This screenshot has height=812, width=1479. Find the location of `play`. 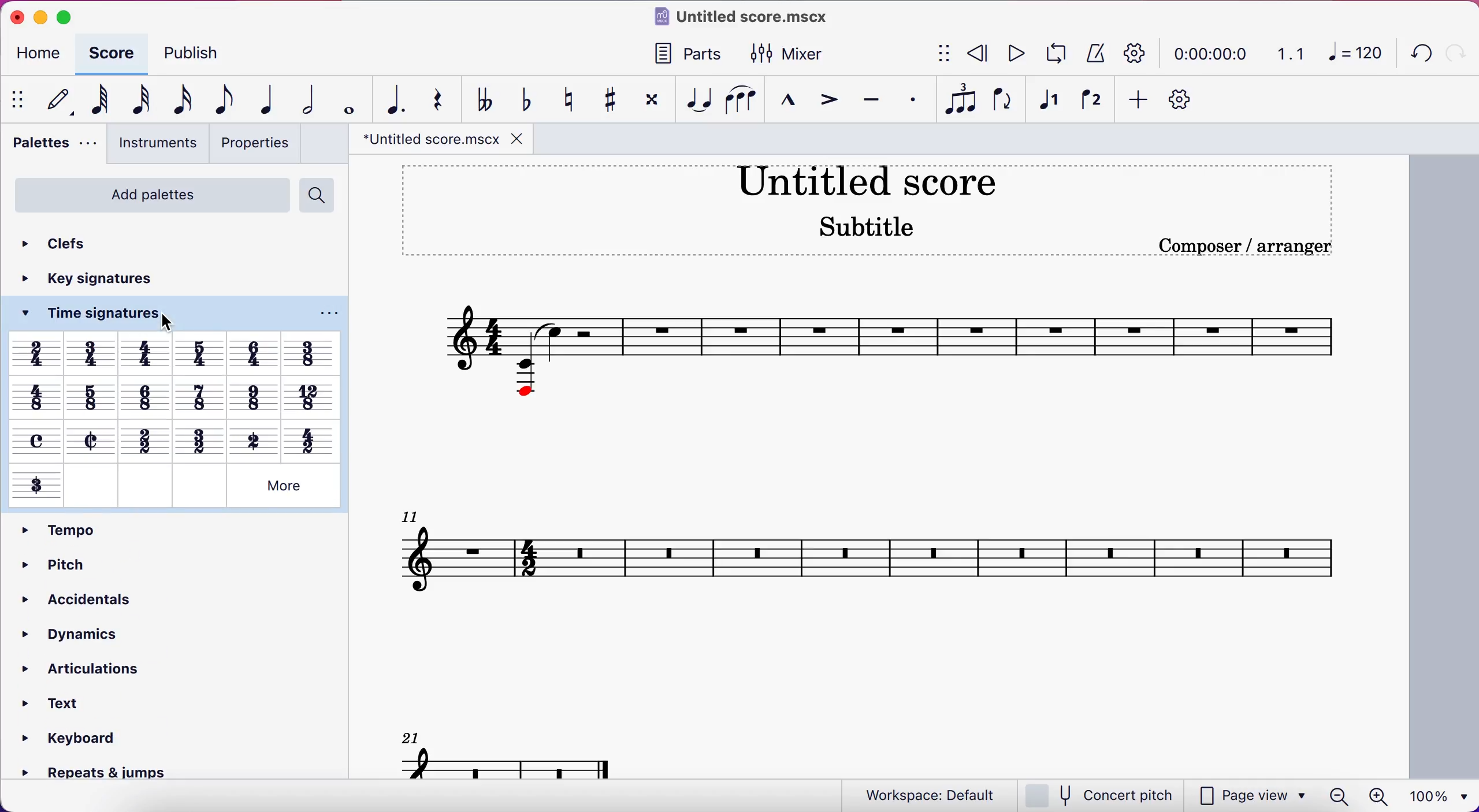

play is located at coordinates (1020, 54).